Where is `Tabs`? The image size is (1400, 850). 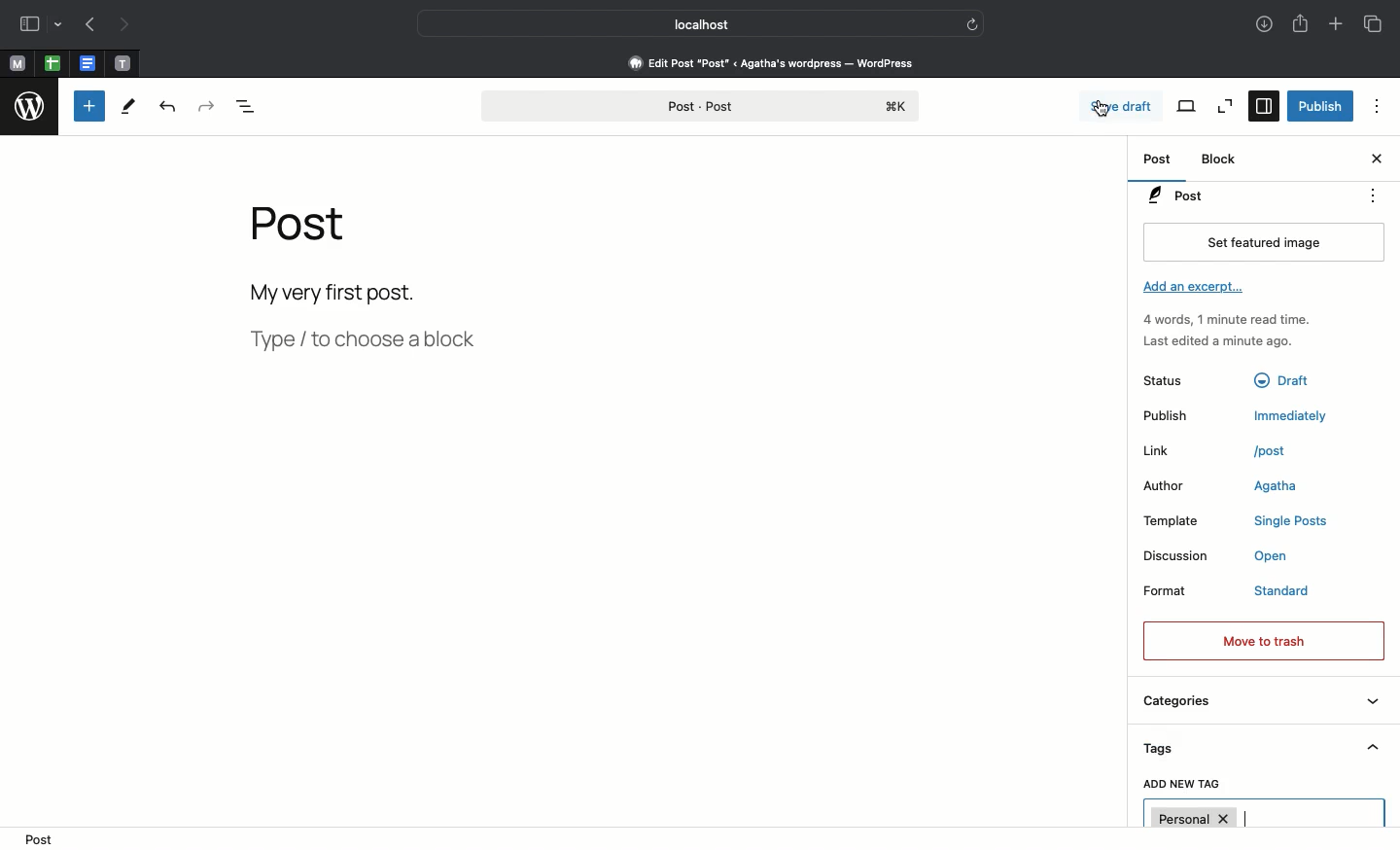
Tabs is located at coordinates (1371, 22).